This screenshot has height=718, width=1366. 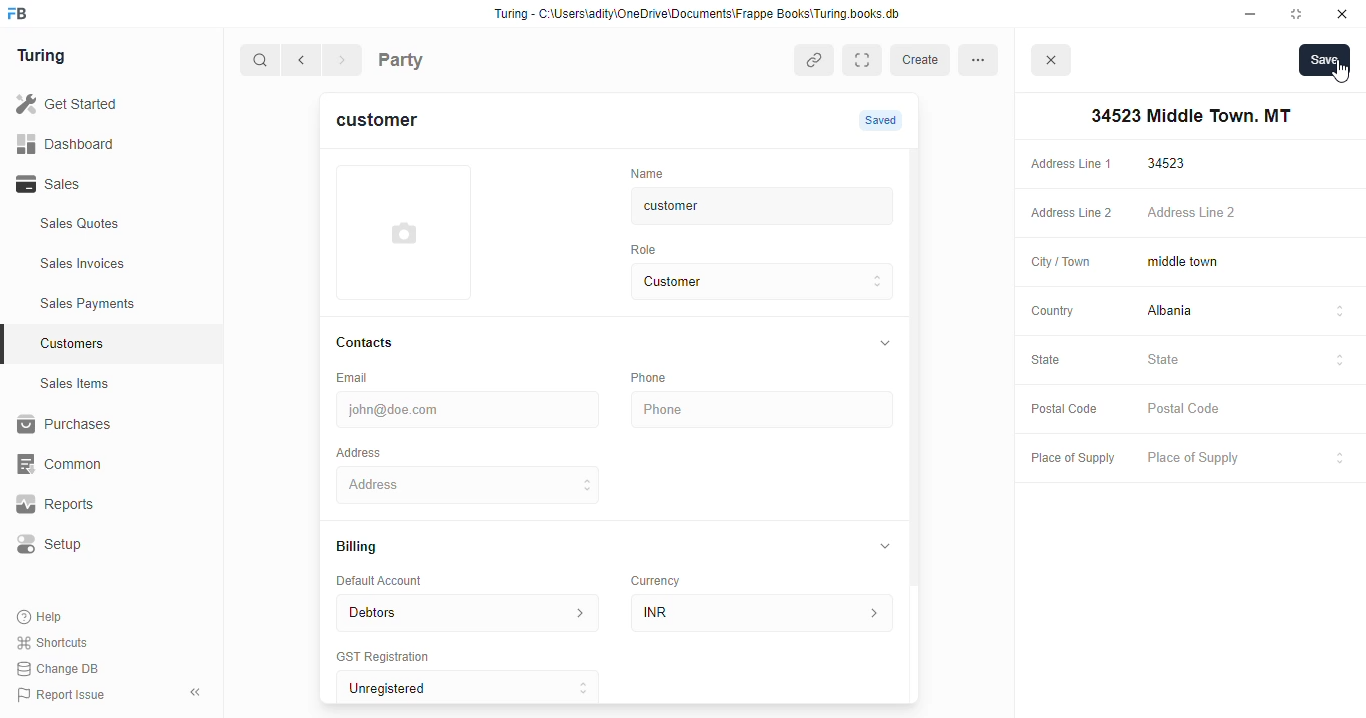 What do you see at coordinates (390, 658) in the screenshot?
I see `‘GST Registration` at bounding box center [390, 658].